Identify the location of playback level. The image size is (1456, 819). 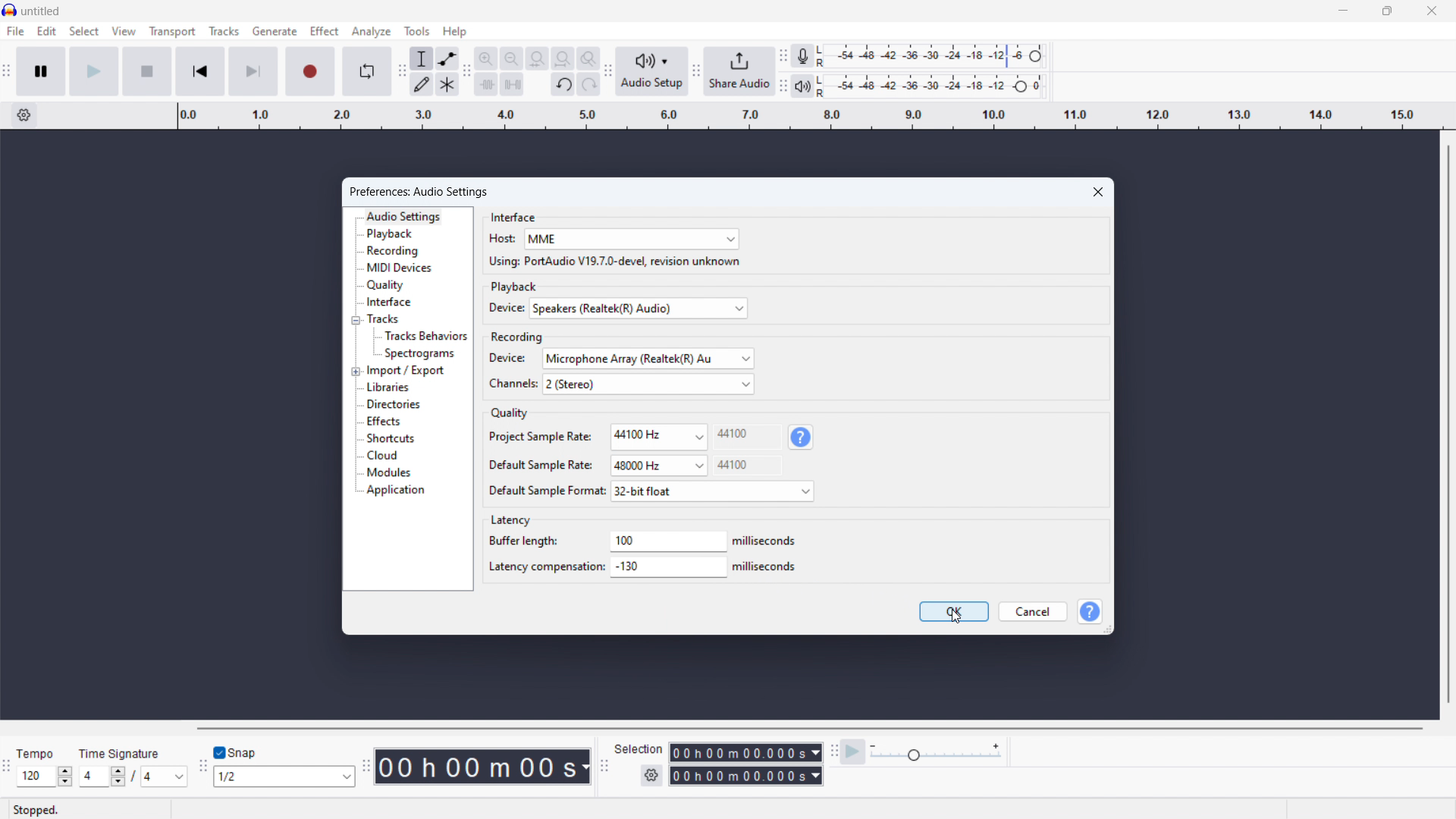
(935, 86).